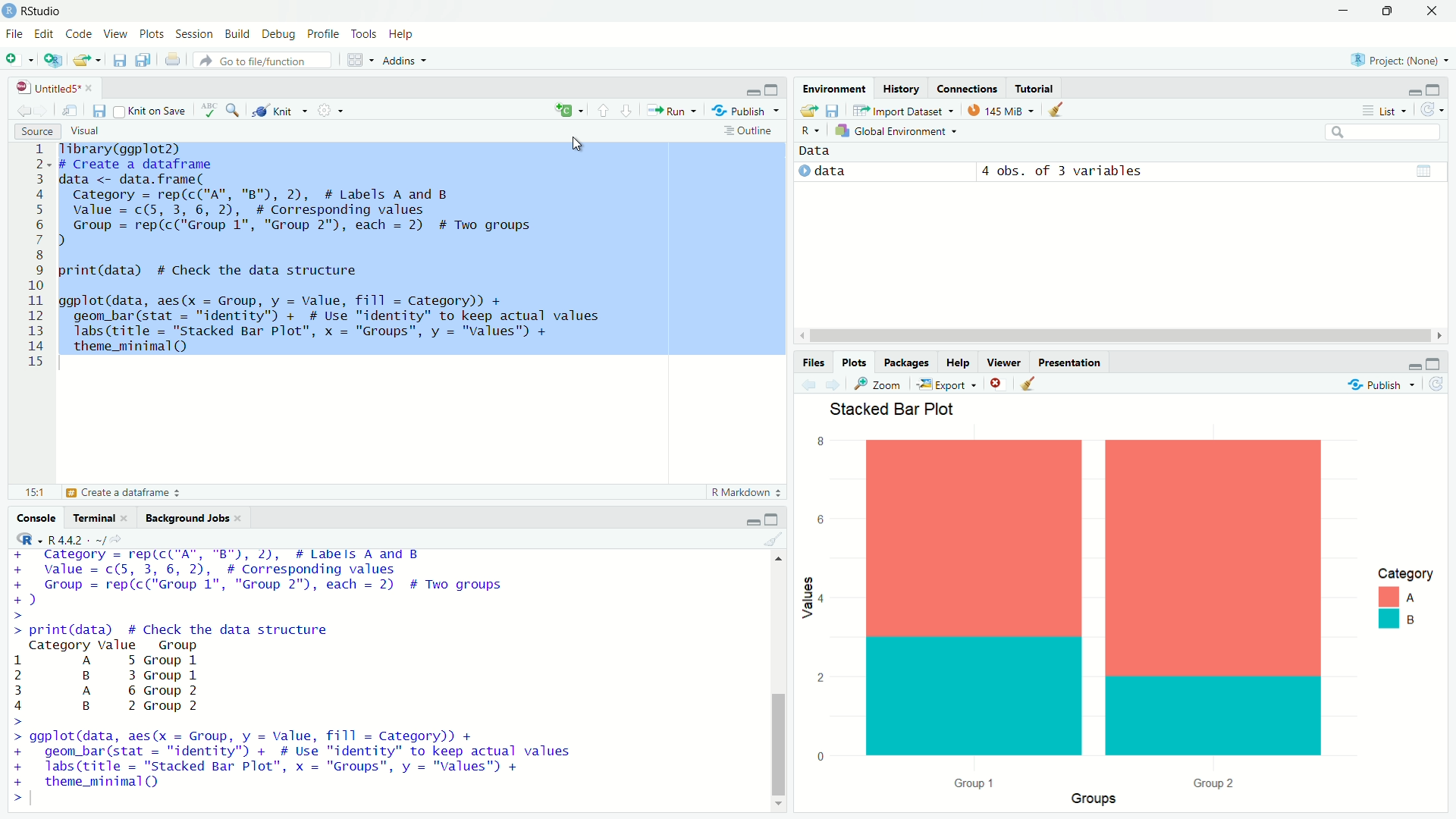 This screenshot has width=1456, height=819. What do you see at coordinates (752, 131) in the screenshot?
I see `Outline` at bounding box center [752, 131].